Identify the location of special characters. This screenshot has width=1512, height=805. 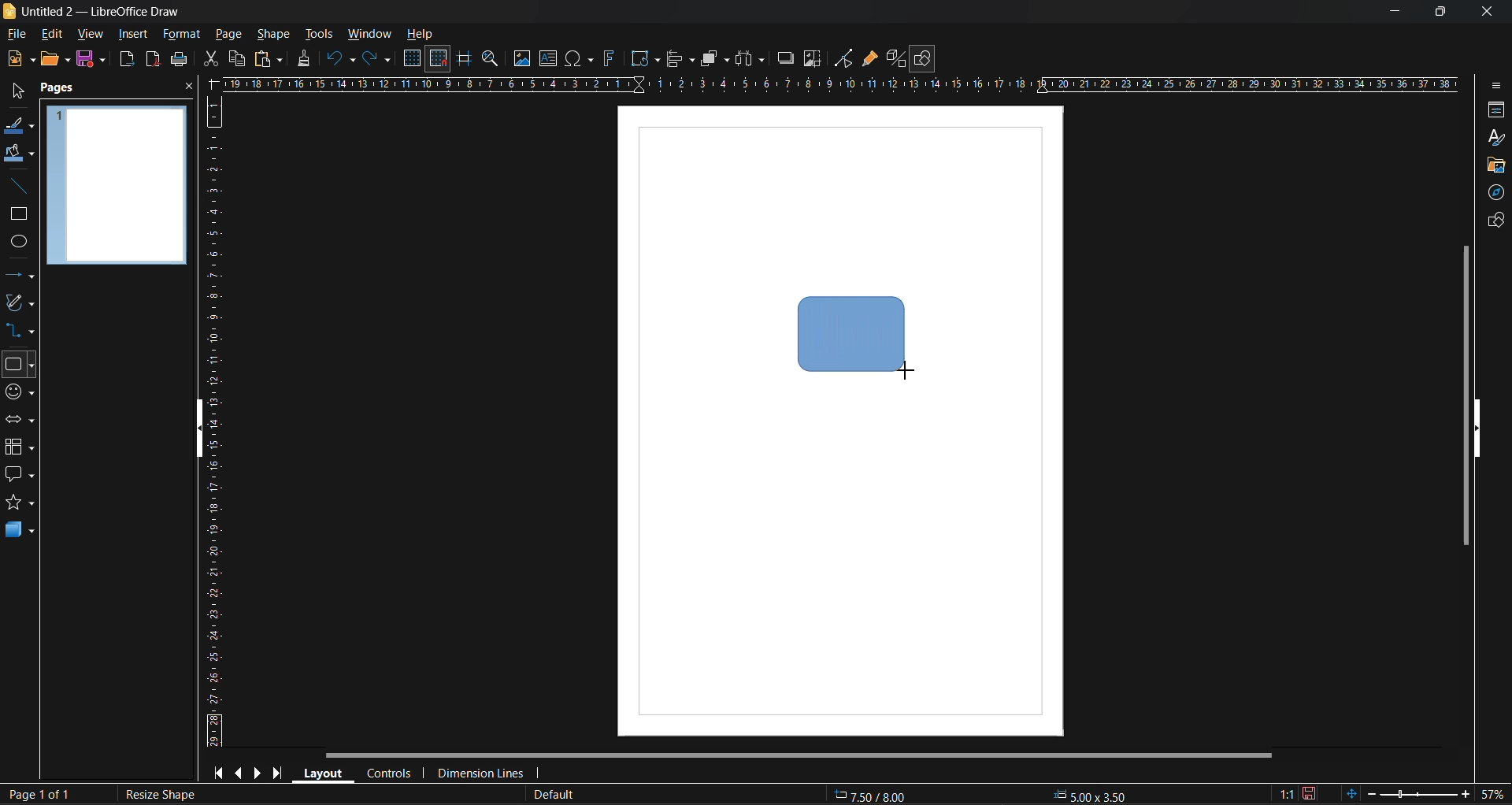
(580, 59).